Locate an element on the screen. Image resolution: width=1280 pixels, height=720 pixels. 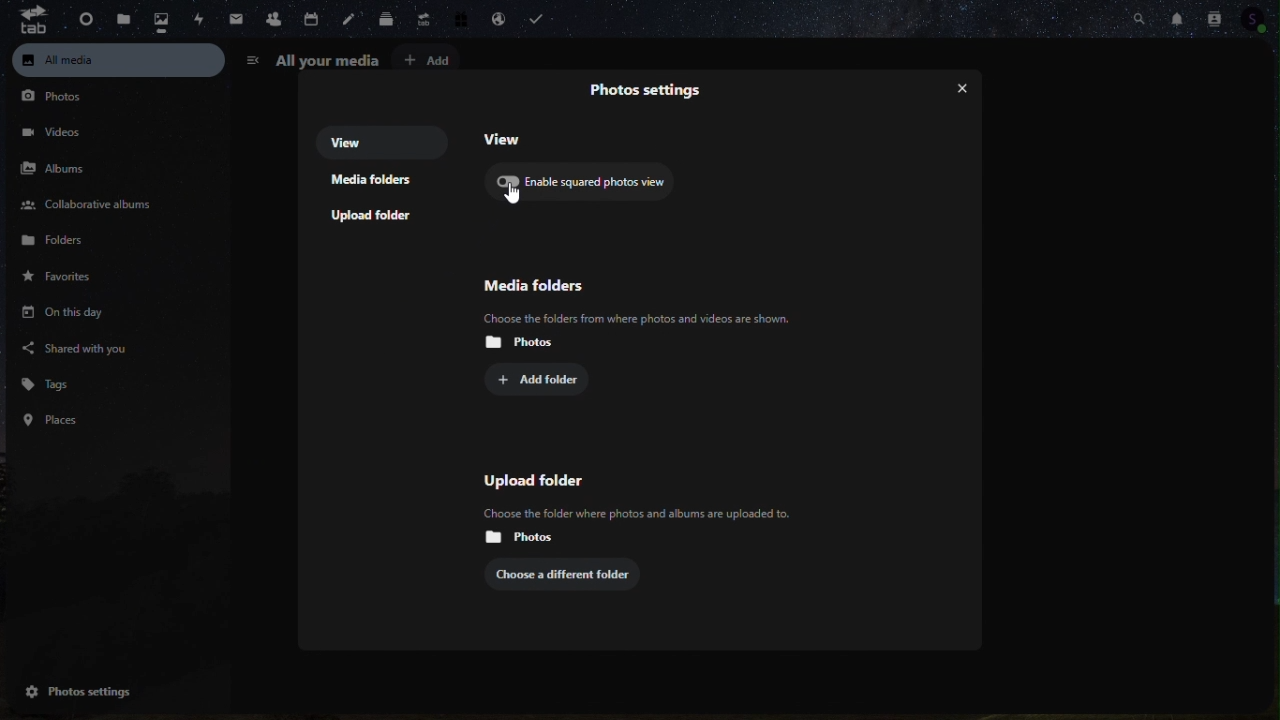
cursor is located at coordinates (516, 199).